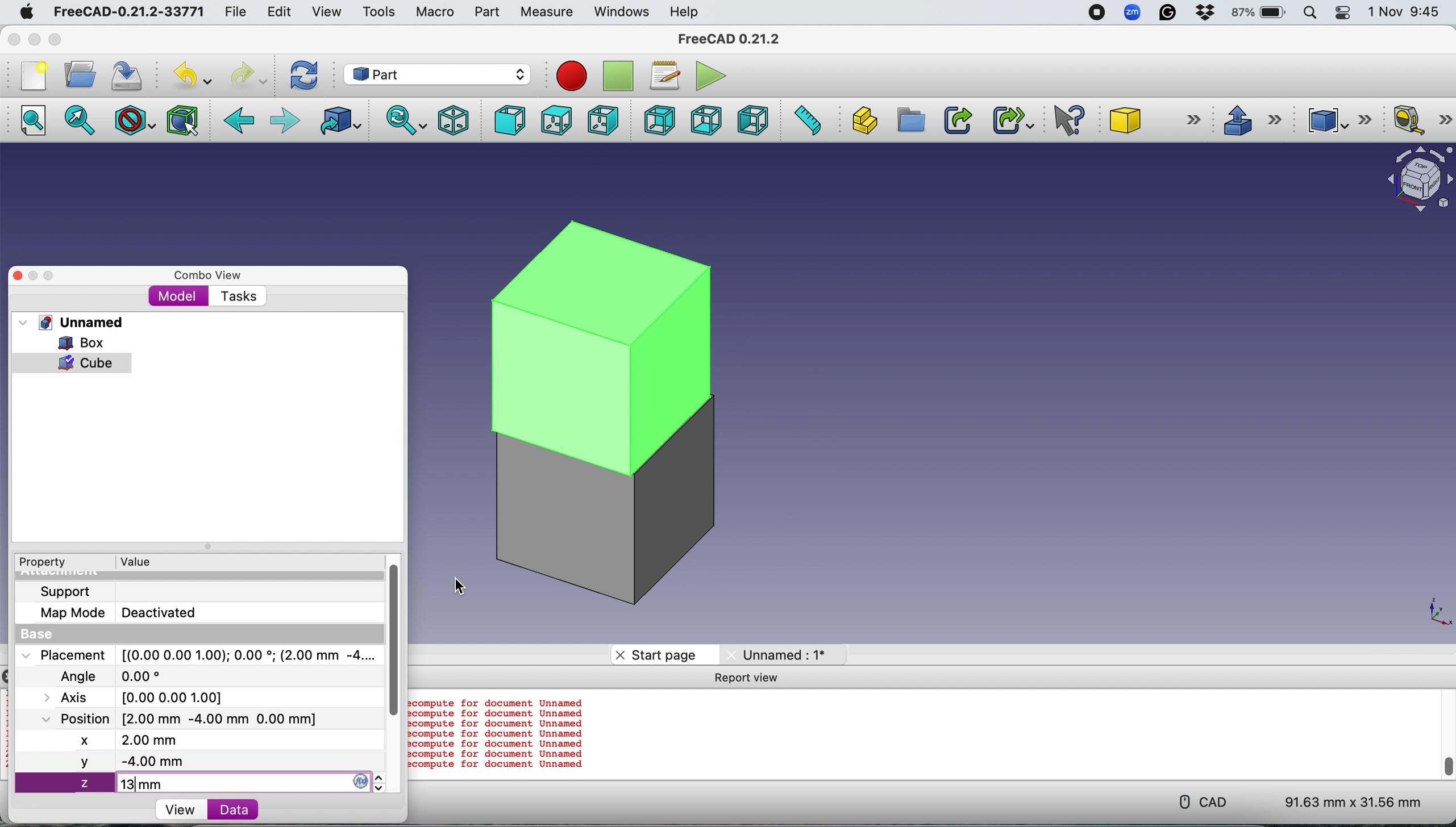  Describe the element at coordinates (789, 654) in the screenshot. I see `Unnamed: 1*` at that location.